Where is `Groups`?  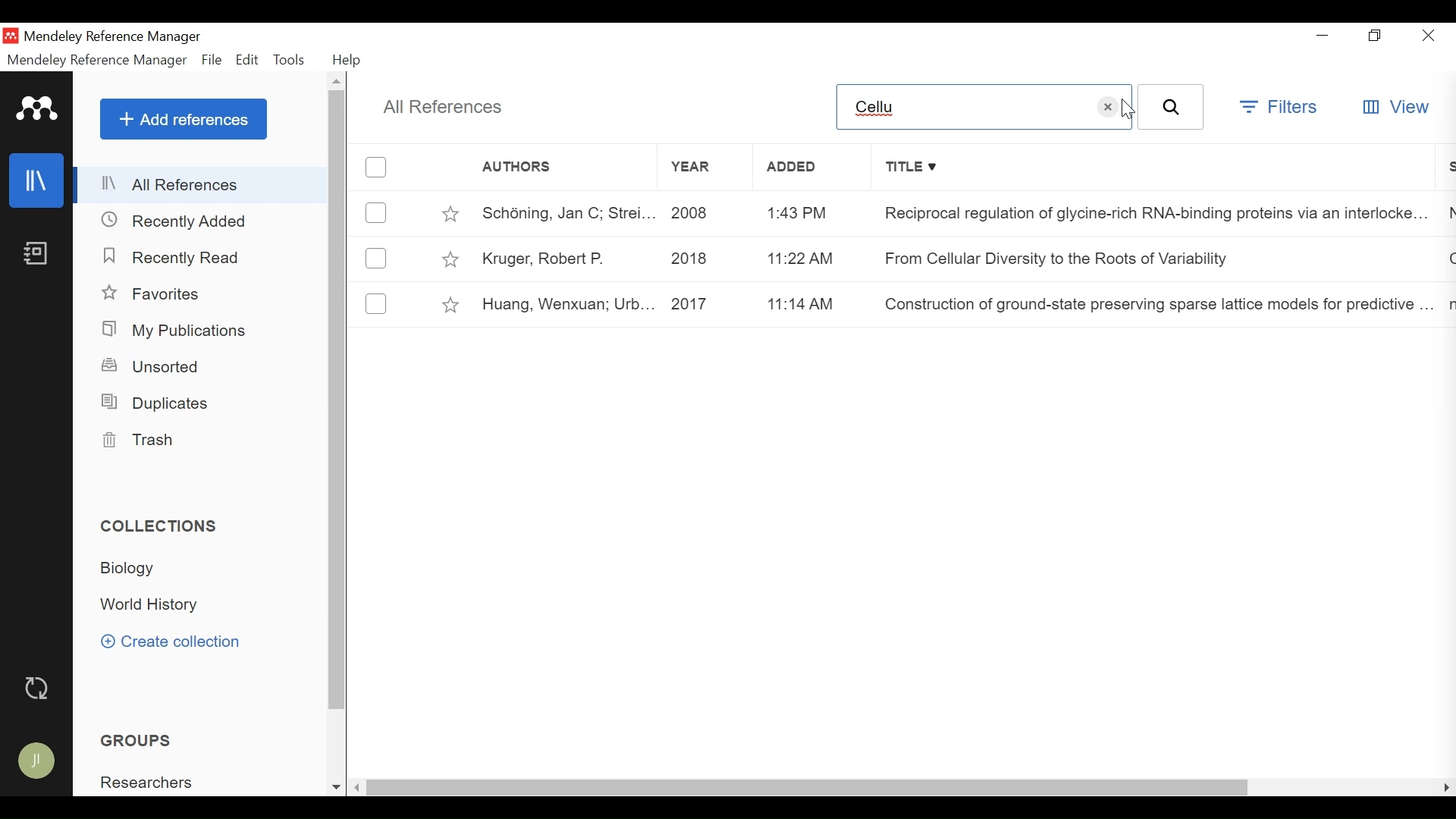
Groups is located at coordinates (135, 740).